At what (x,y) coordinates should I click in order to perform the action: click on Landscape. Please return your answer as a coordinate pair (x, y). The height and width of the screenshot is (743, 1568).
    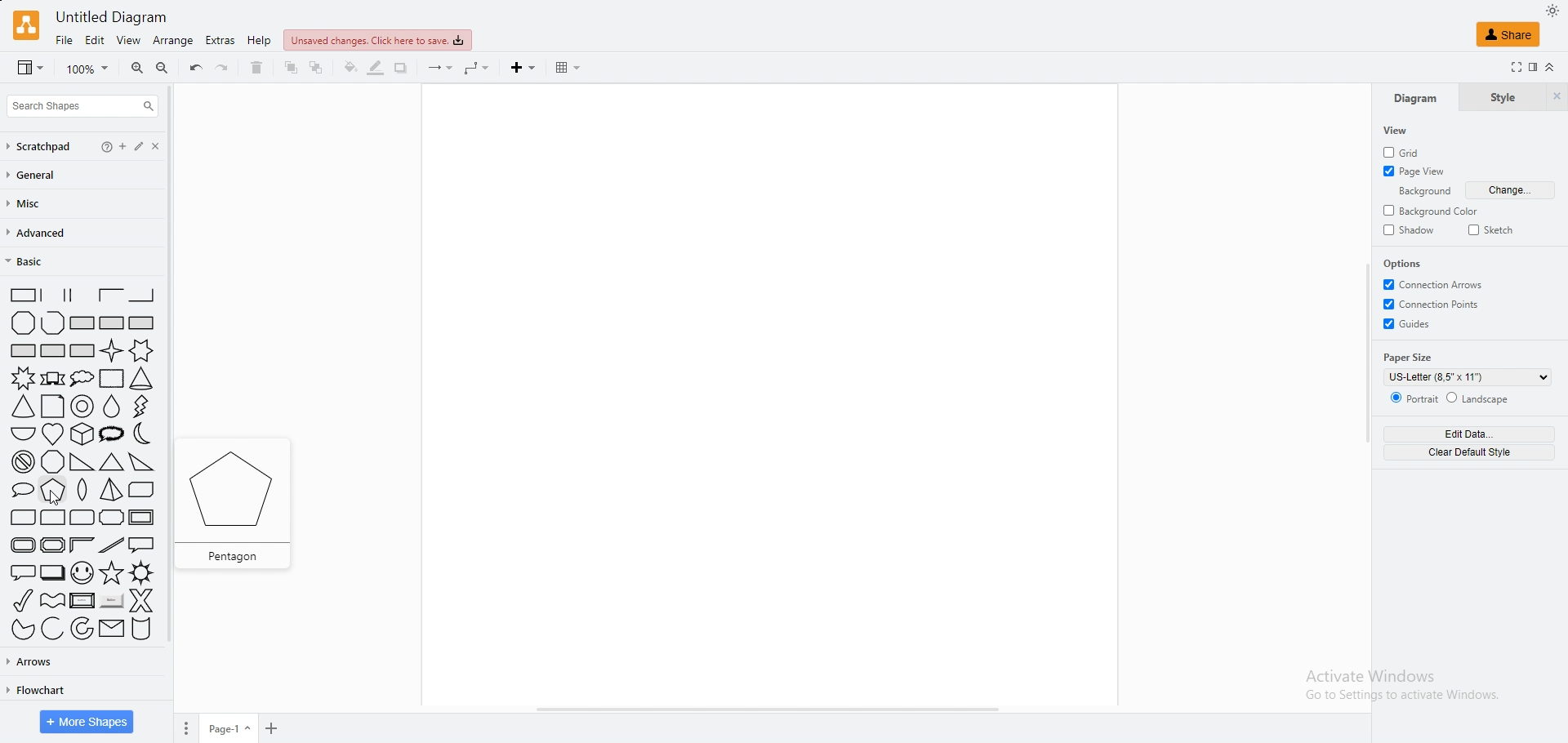
    Looking at the image, I should click on (1480, 398).